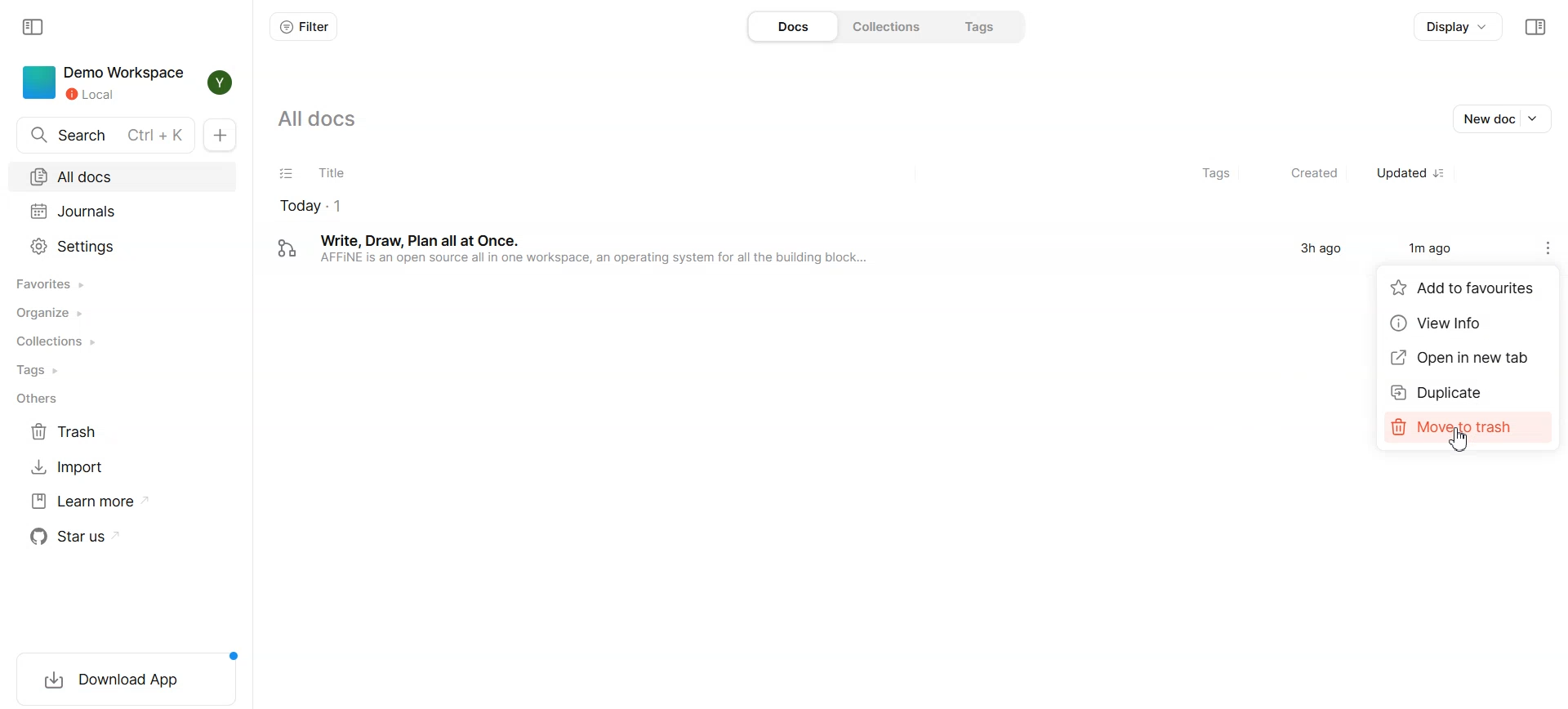 The image size is (1568, 709). Describe the element at coordinates (739, 175) in the screenshot. I see `Title` at that location.